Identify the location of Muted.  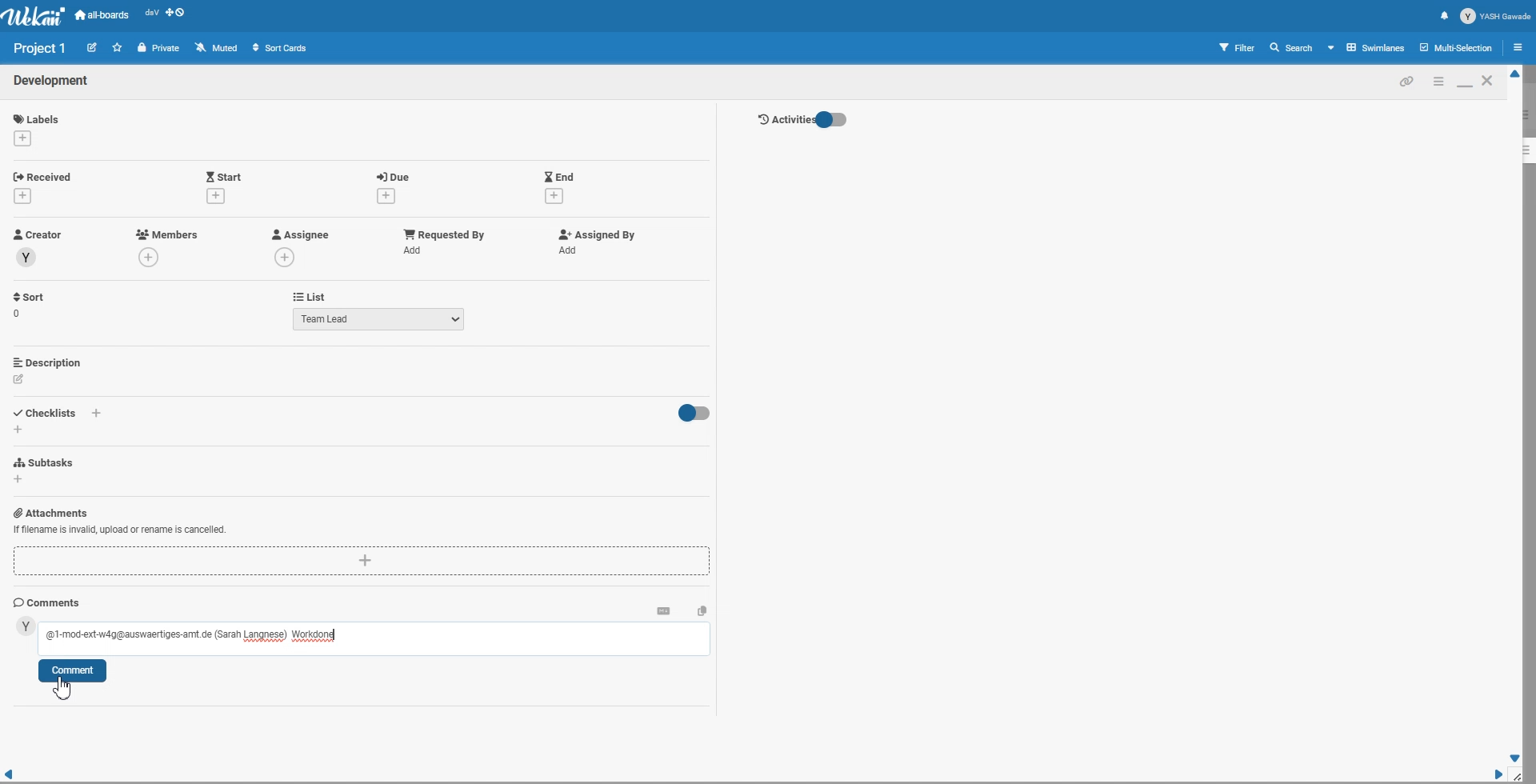
(218, 47).